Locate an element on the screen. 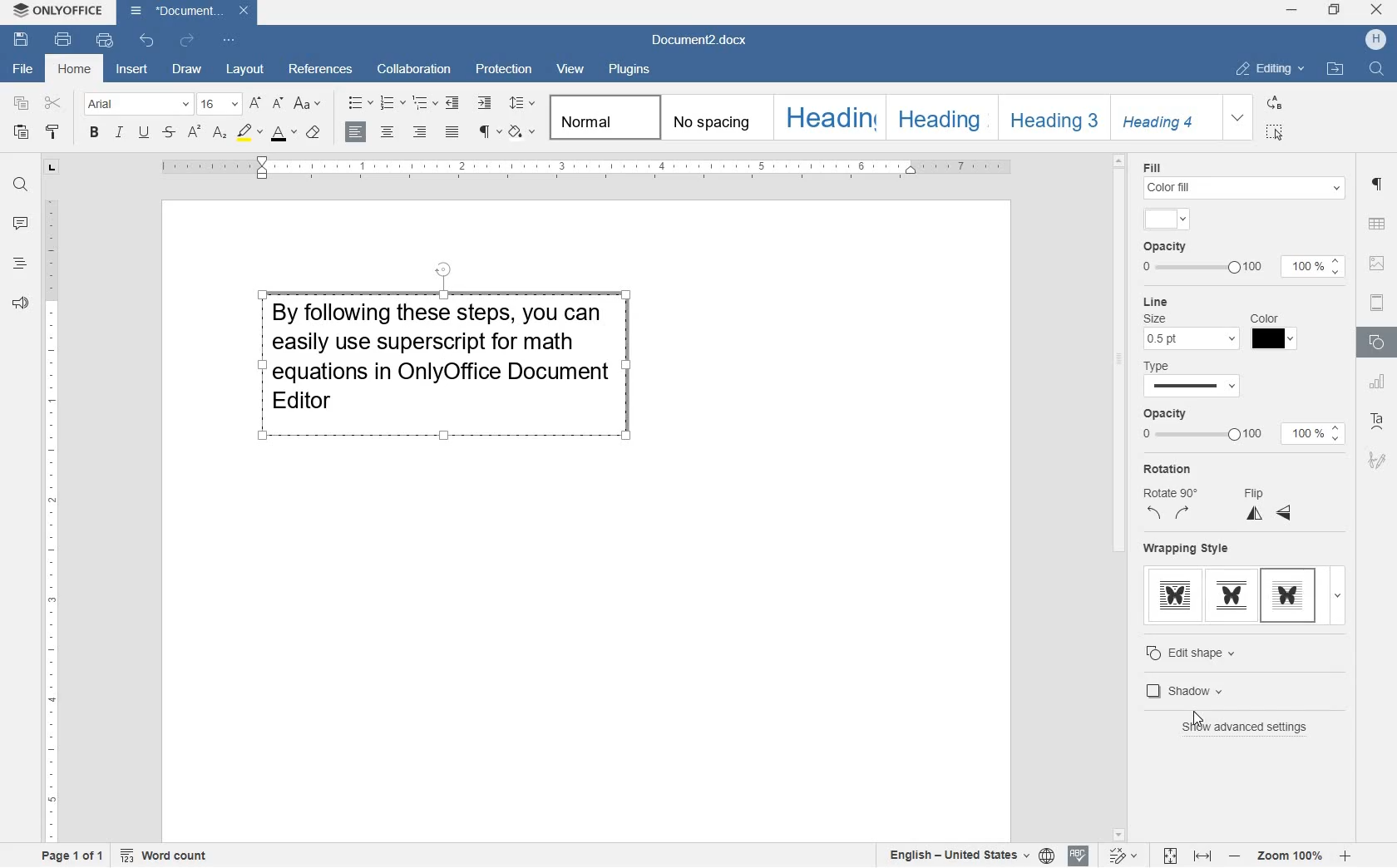 The image size is (1397, 868). cursor is located at coordinates (1196, 723).